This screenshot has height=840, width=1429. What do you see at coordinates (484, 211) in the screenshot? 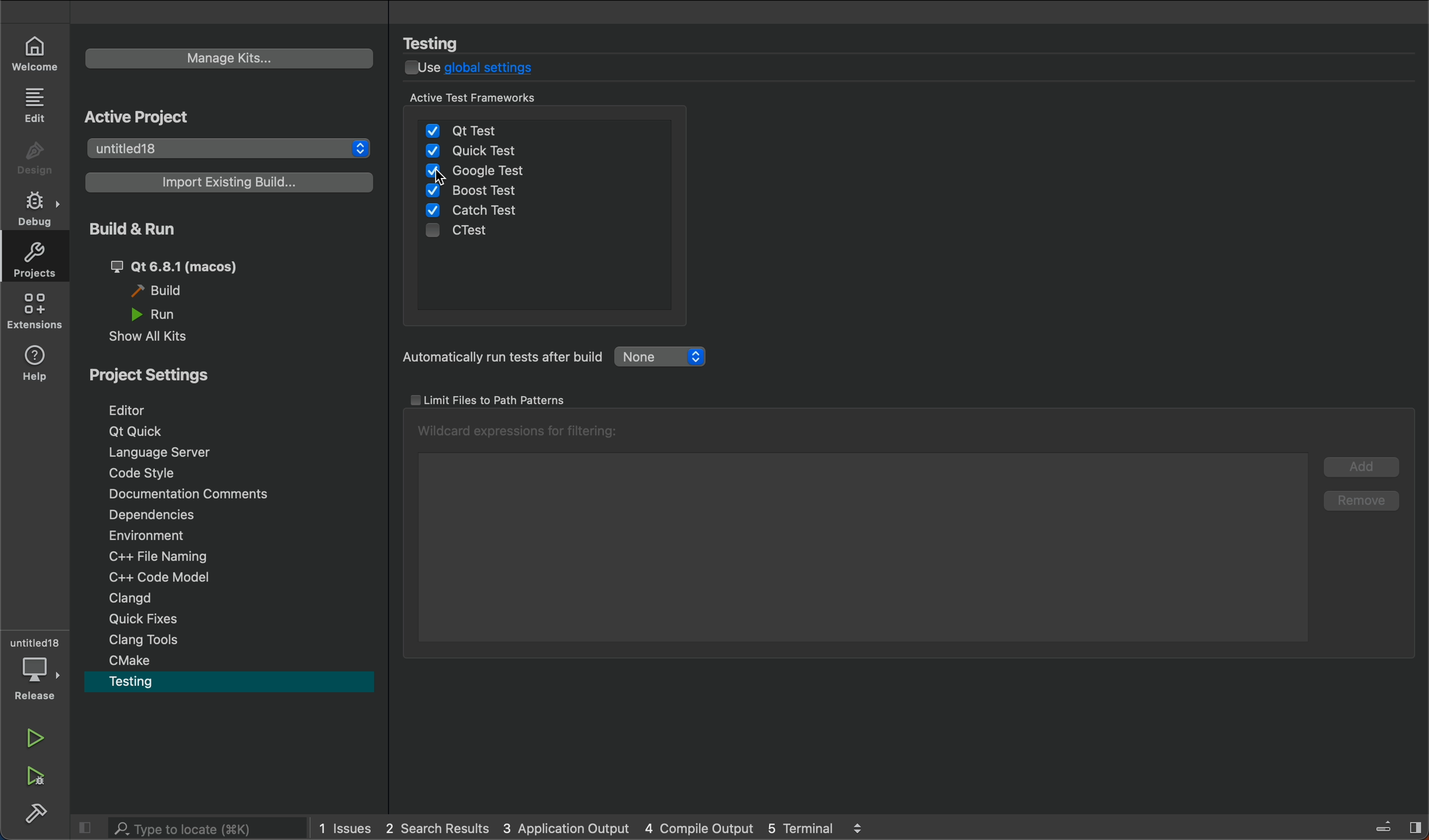
I see `catch test` at bounding box center [484, 211].